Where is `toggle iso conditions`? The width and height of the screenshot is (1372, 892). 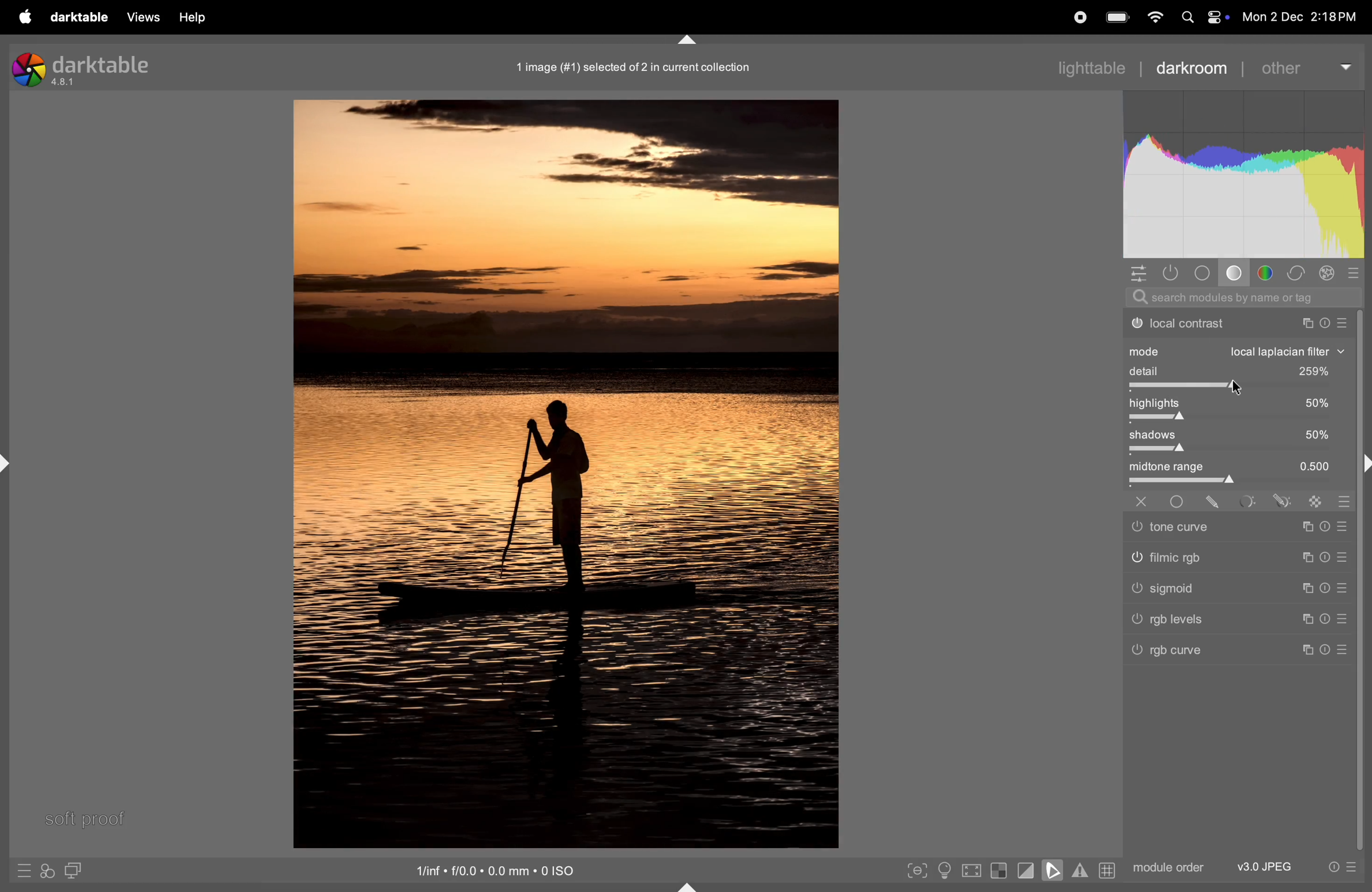 toggle iso conditions is located at coordinates (944, 870).